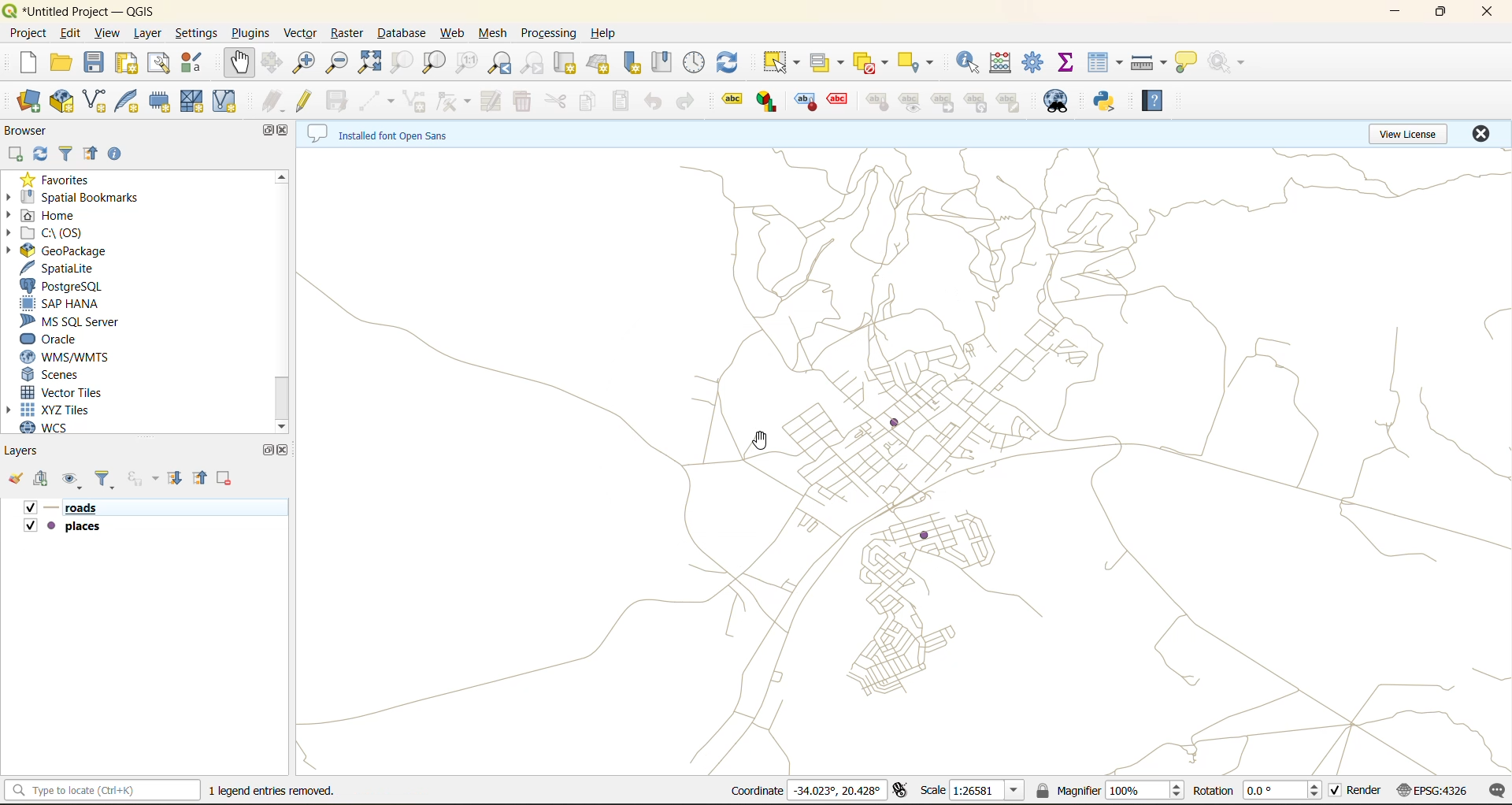 Image resolution: width=1512 pixels, height=805 pixels. What do you see at coordinates (1440, 14) in the screenshot?
I see `maximize` at bounding box center [1440, 14].